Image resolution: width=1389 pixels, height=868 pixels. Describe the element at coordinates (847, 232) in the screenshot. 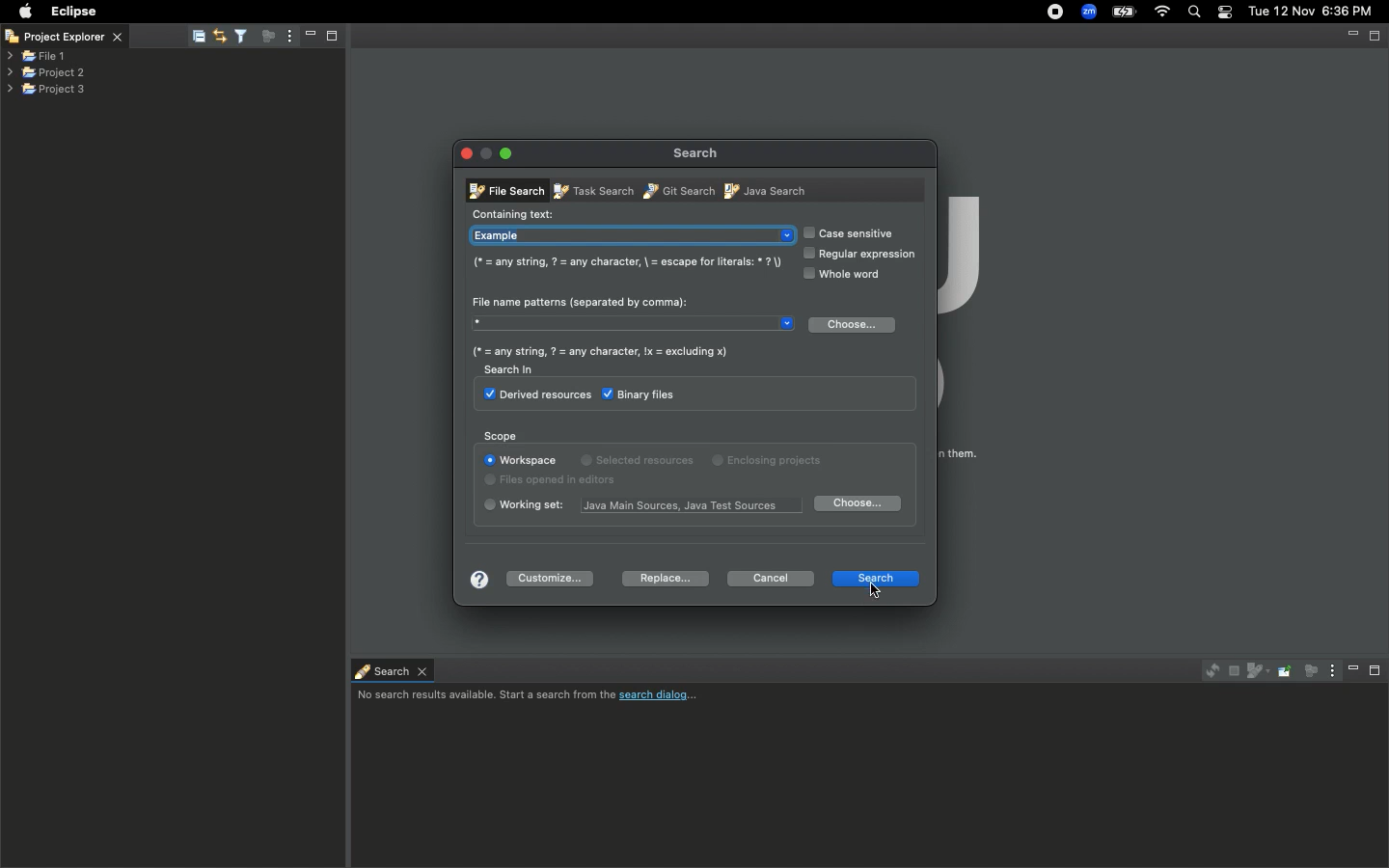

I see `Case sensitive` at that location.